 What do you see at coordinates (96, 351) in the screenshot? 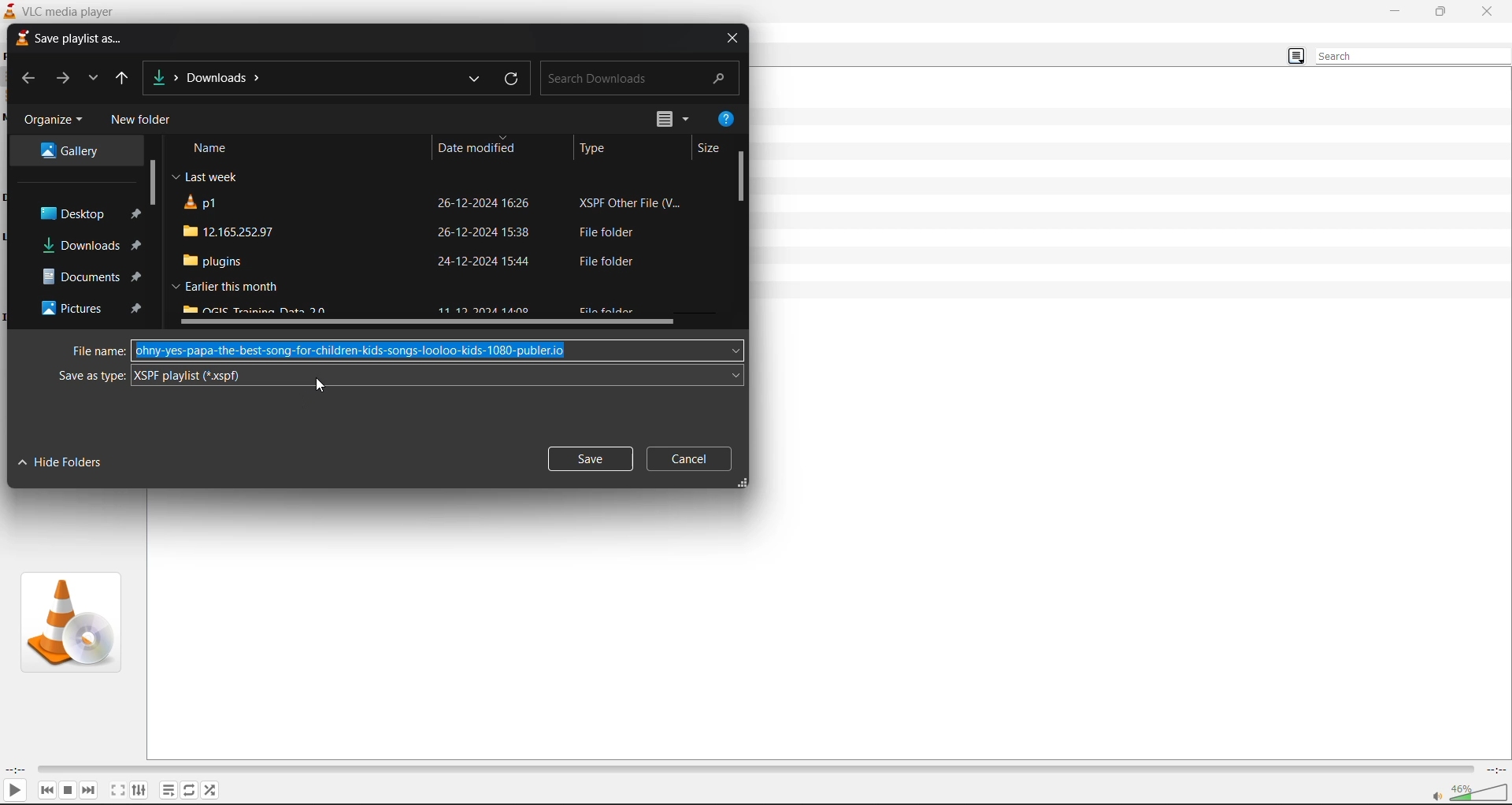
I see `file name` at bounding box center [96, 351].